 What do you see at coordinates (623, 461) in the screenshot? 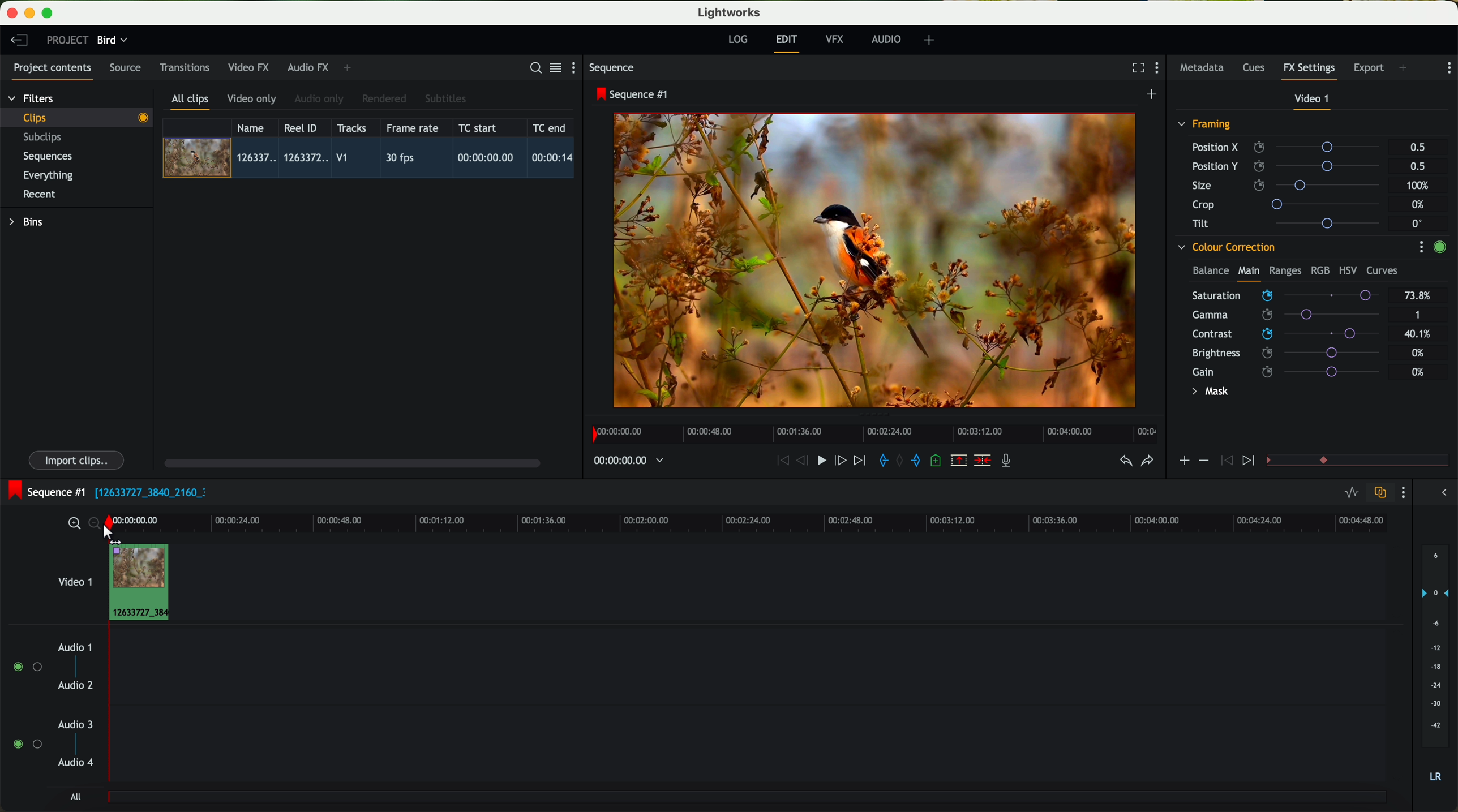
I see `timeline` at bounding box center [623, 461].